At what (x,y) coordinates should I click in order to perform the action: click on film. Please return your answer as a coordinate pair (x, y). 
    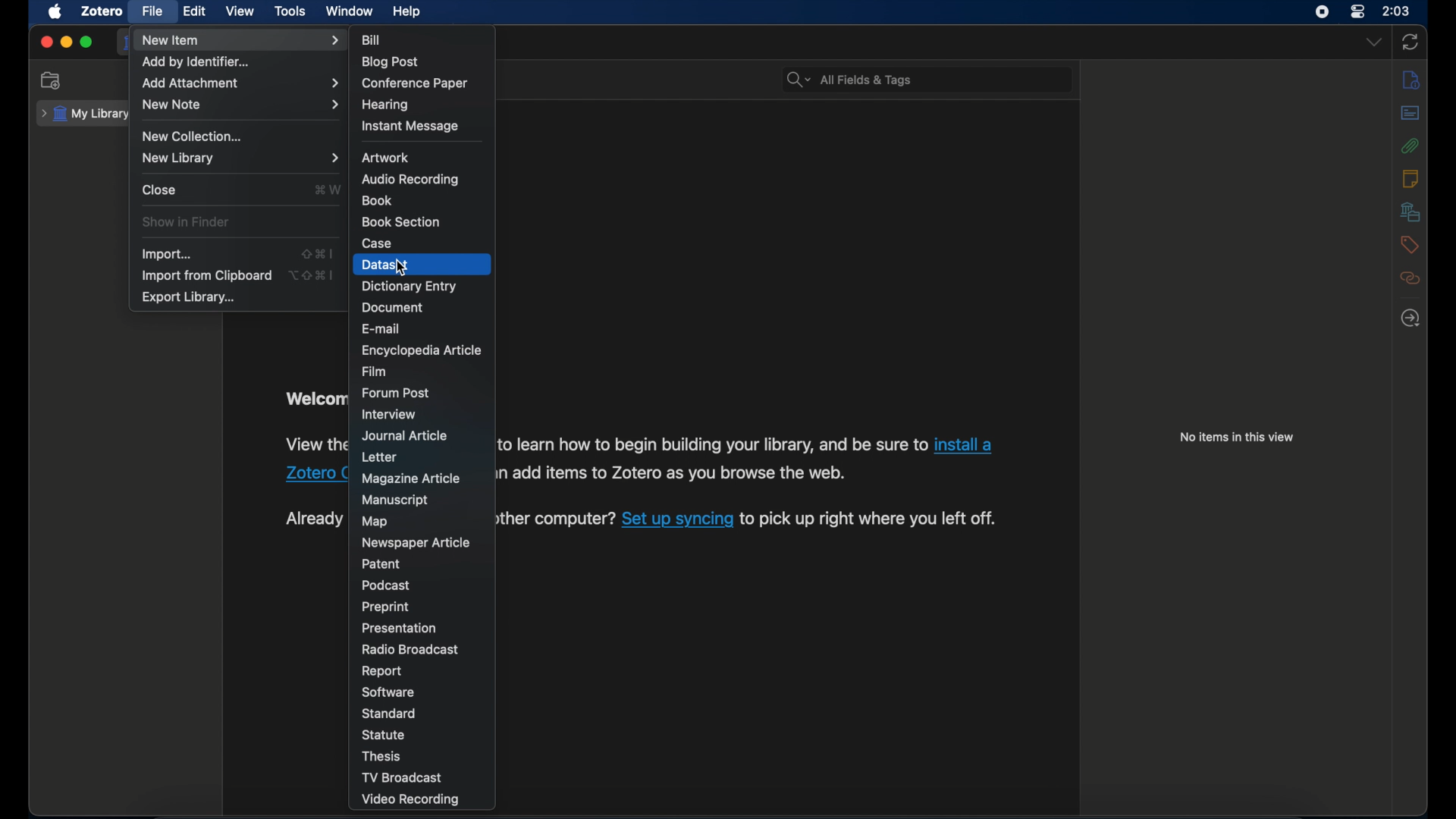
    Looking at the image, I should click on (375, 372).